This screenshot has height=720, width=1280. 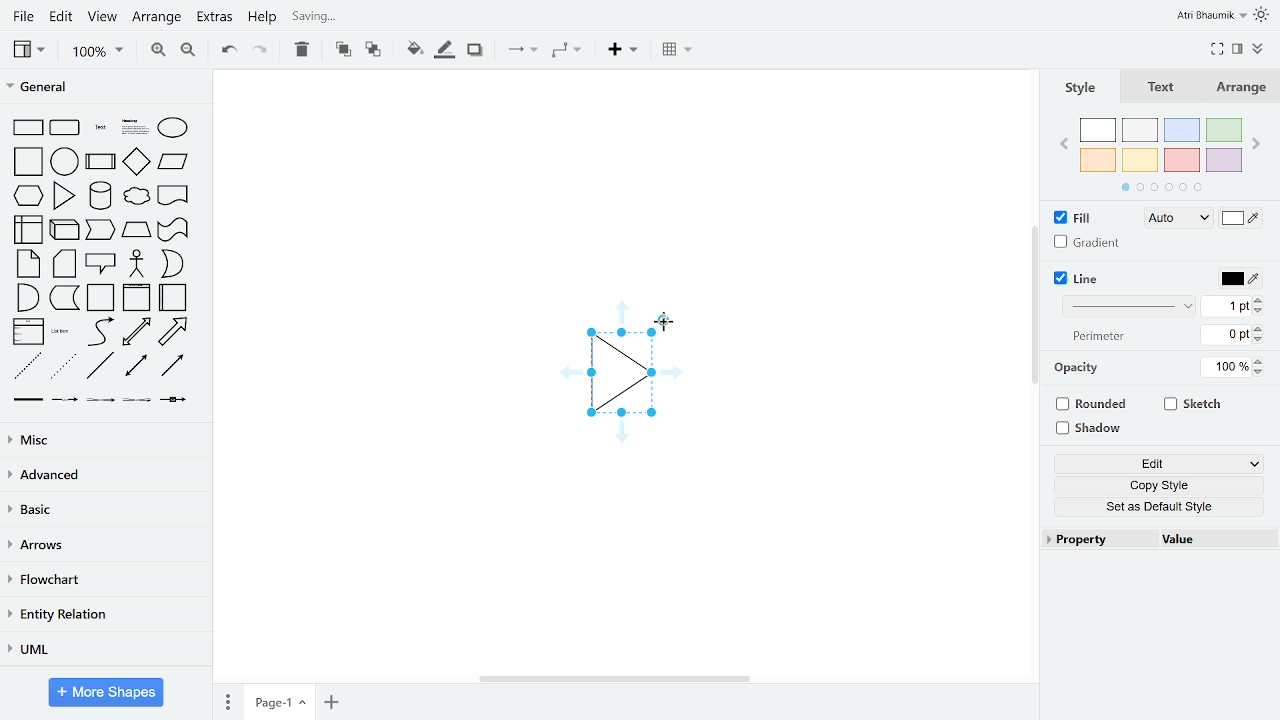 What do you see at coordinates (1141, 161) in the screenshot?
I see `yellow` at bounding box center [1141, 161].